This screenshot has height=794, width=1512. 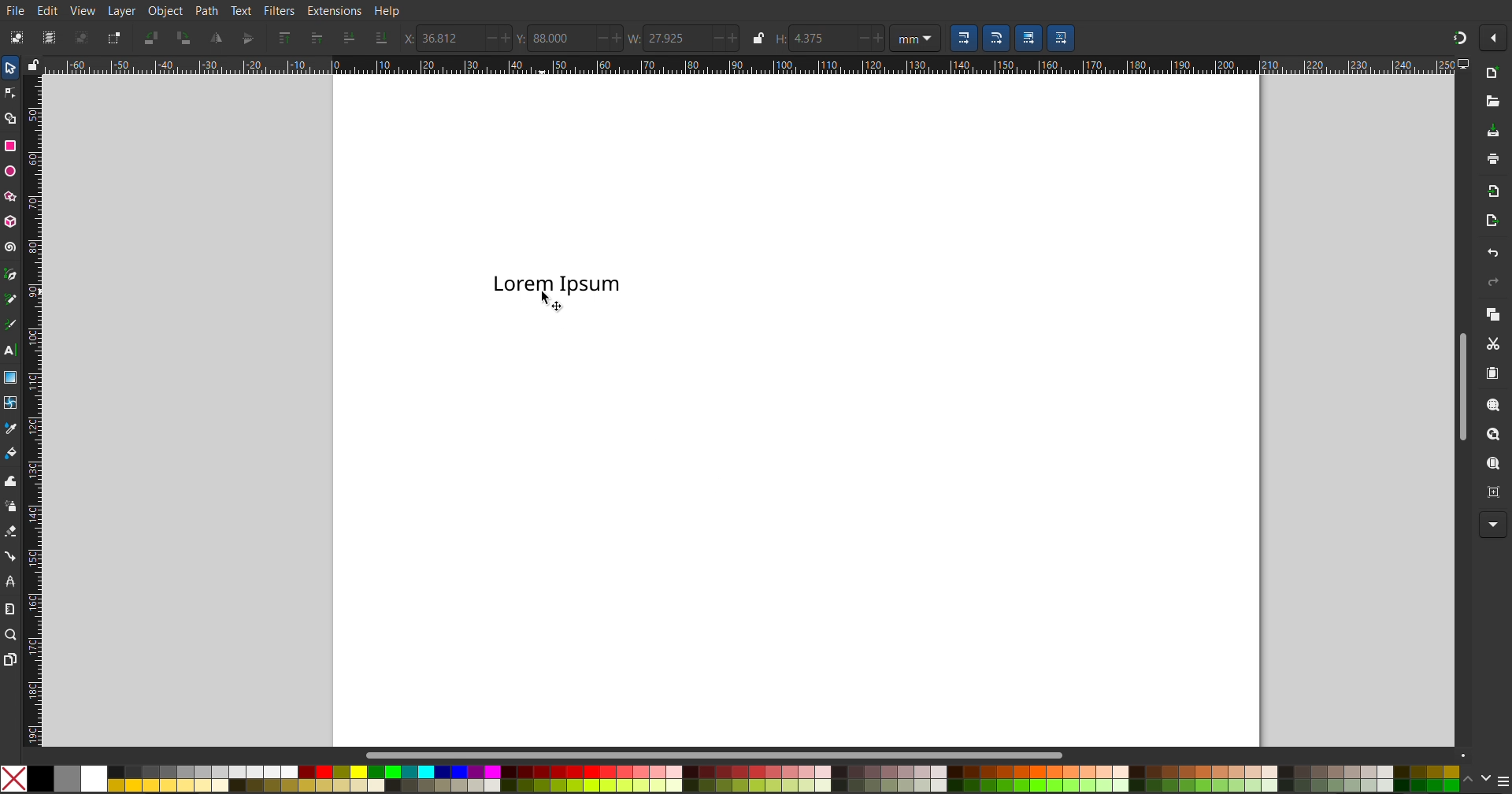 What do you see at coordinates (995, 39) in the screenshot?
I see `Scale radii of round corners` at bounding box center [995, 39].